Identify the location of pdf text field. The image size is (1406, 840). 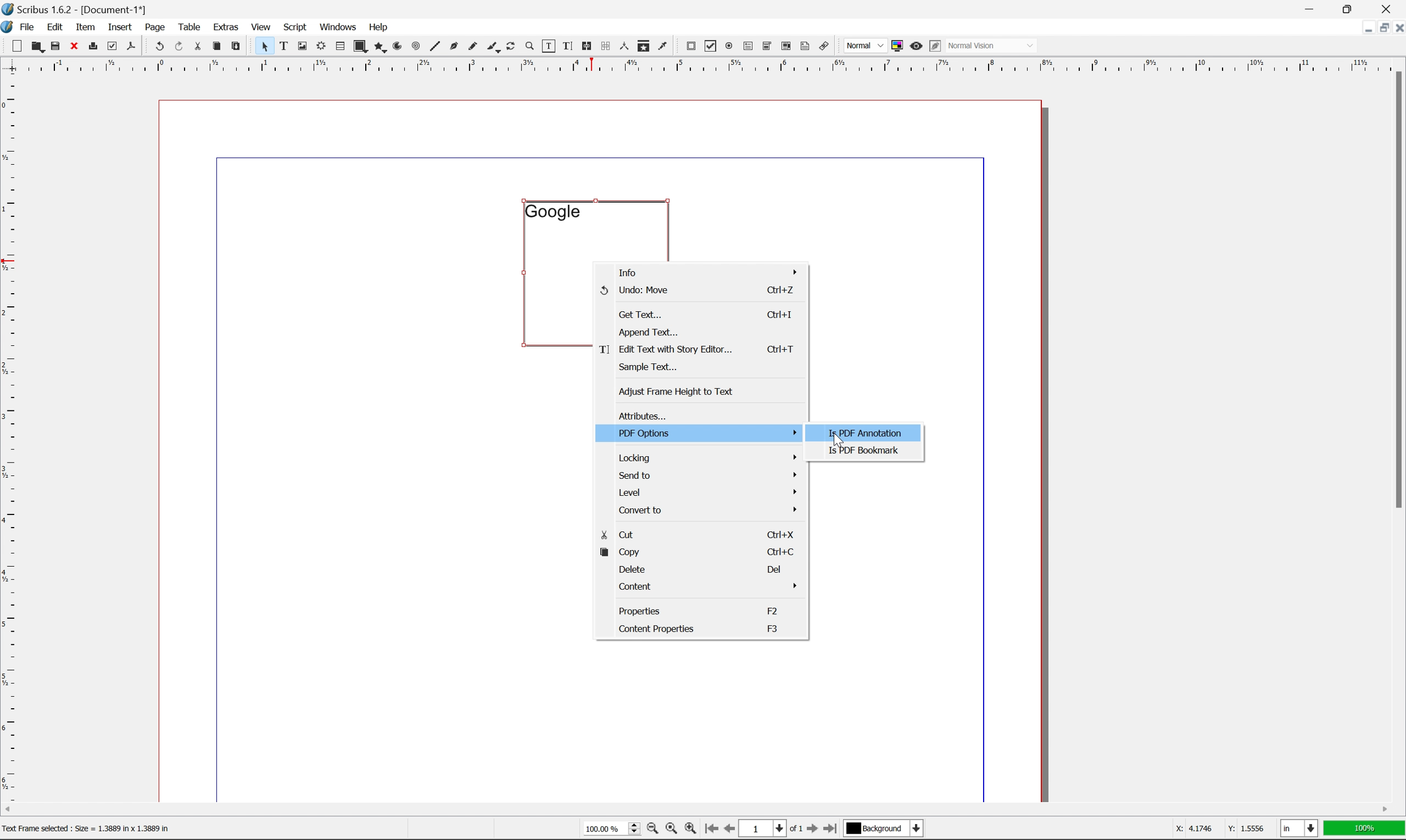
(746, 47).